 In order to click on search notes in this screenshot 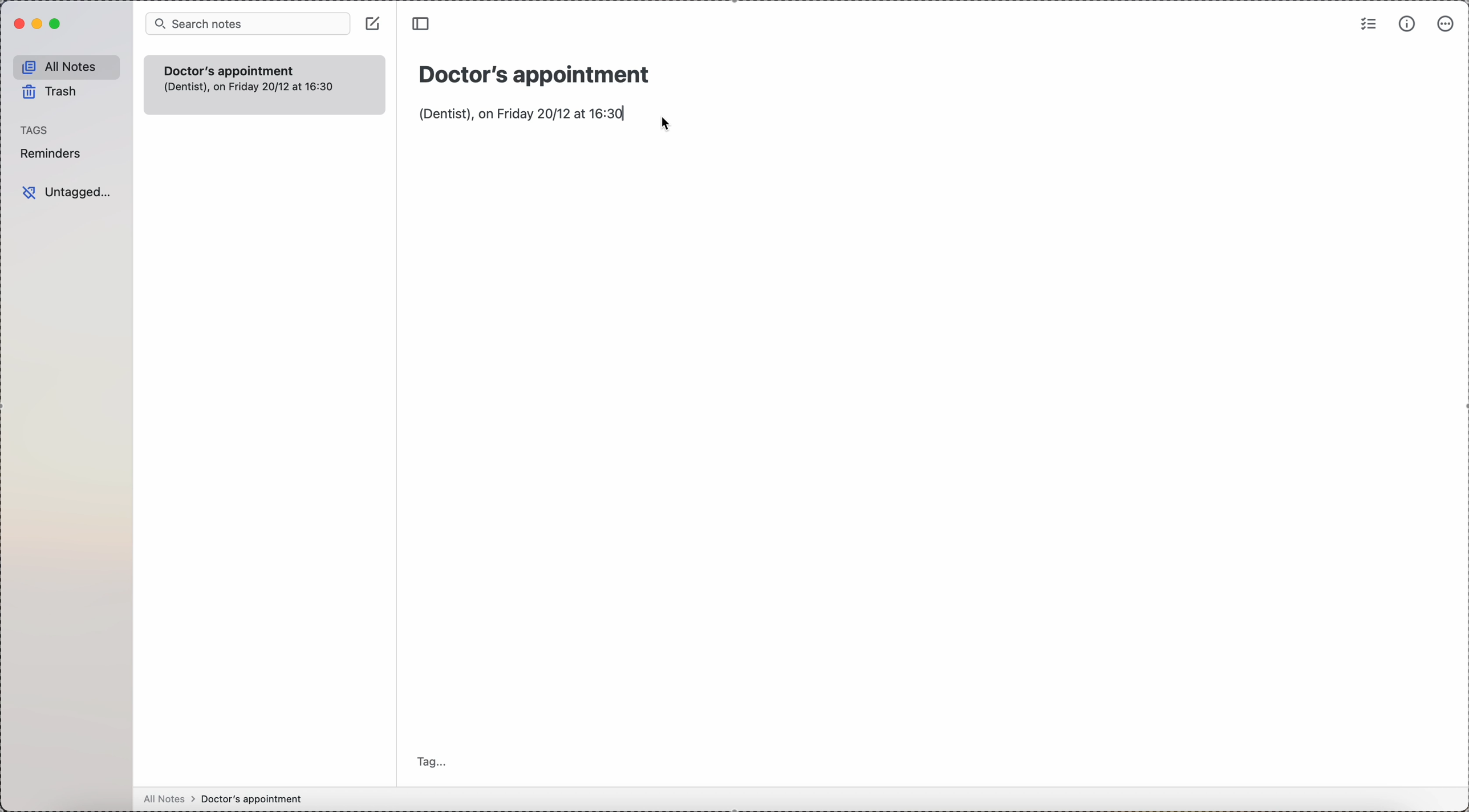, I will do `click(249, 23)`.